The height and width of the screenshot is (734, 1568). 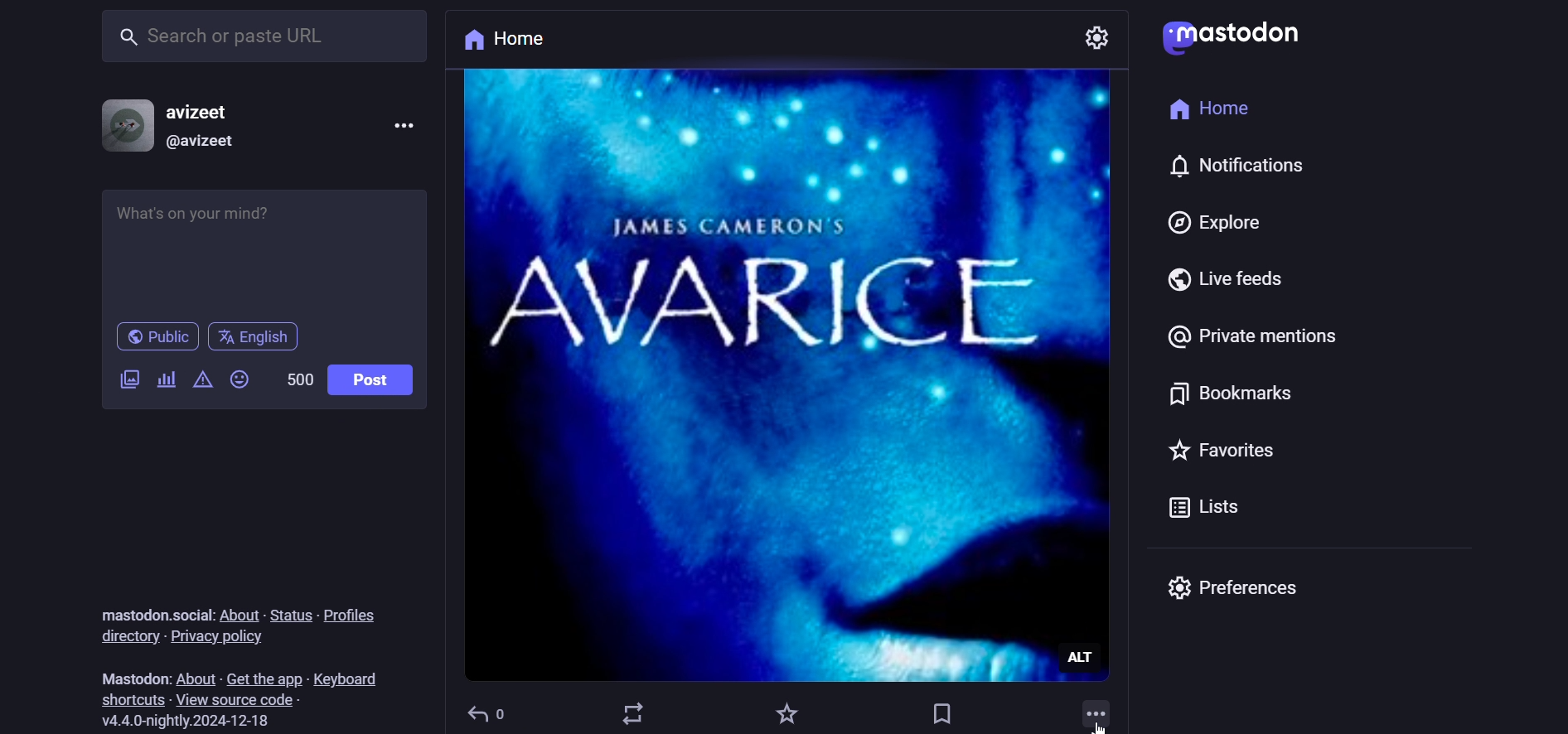 What do you see at coordinates (1092, 658) in the screenshot?
I see `alt` at bounding box center [1092, 658].